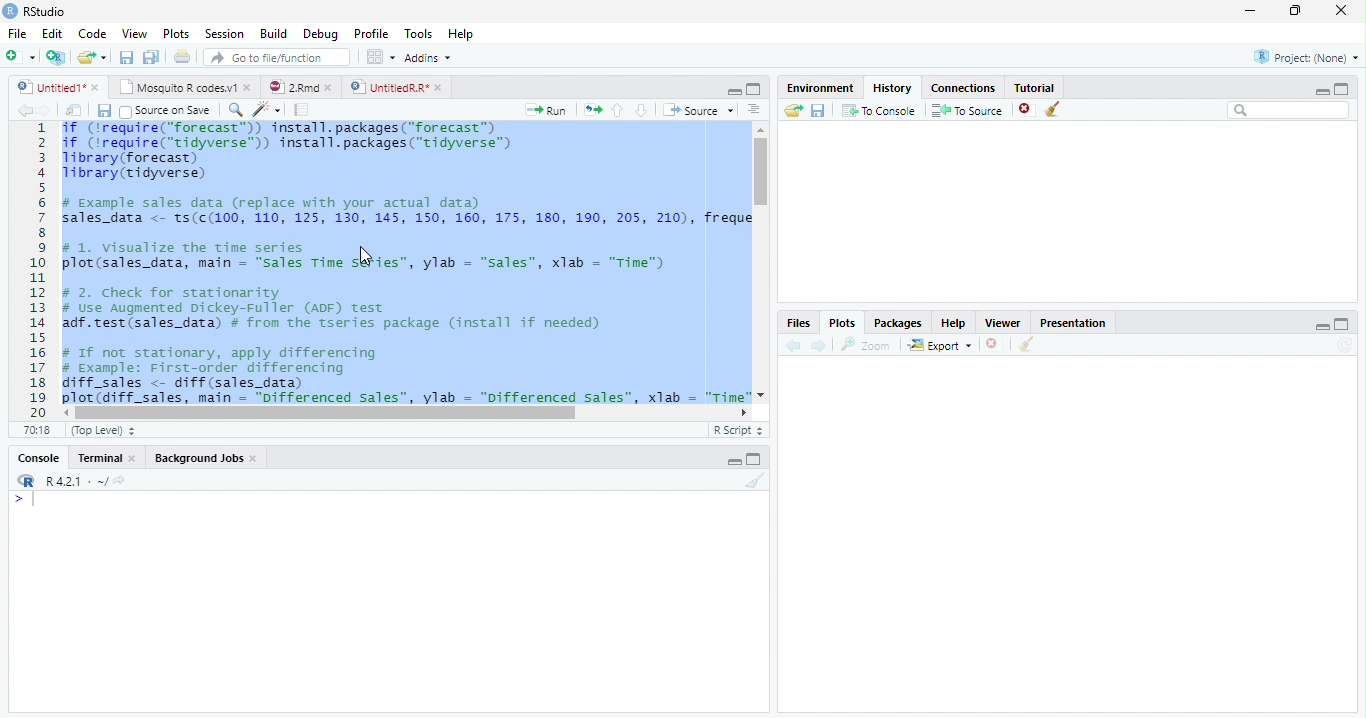  I want to click on Go to file/function, so click(277, 57).